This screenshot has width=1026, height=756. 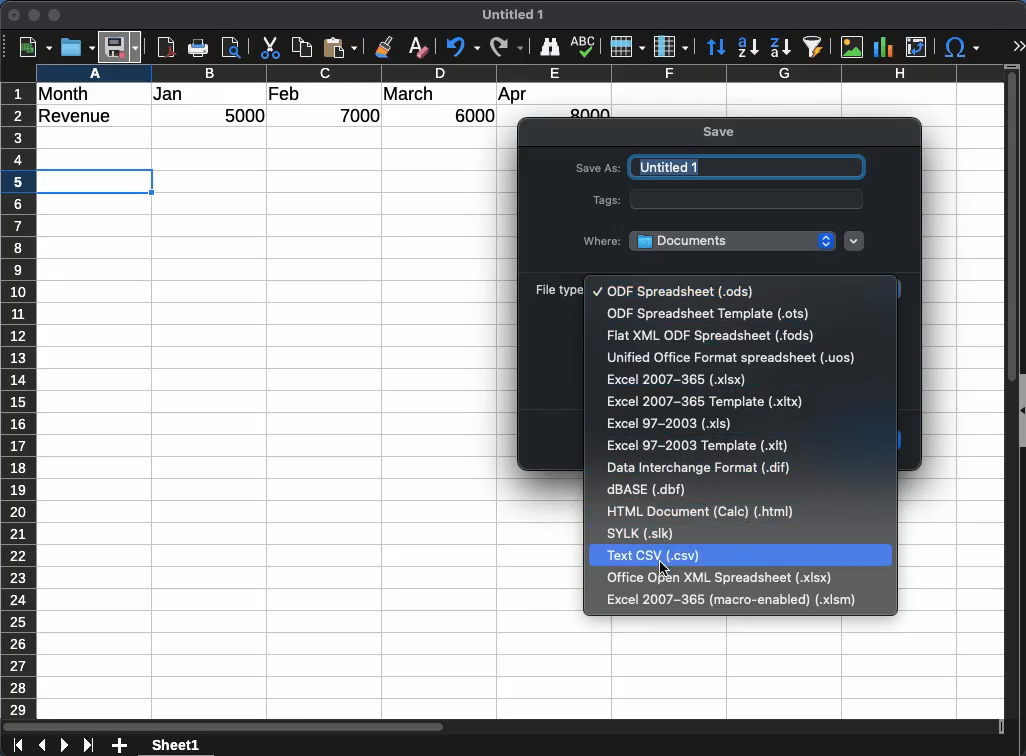 What do you see at coordinates (362, 115) in the screenshot?
I see `7000` at bounding box center [362, 115].